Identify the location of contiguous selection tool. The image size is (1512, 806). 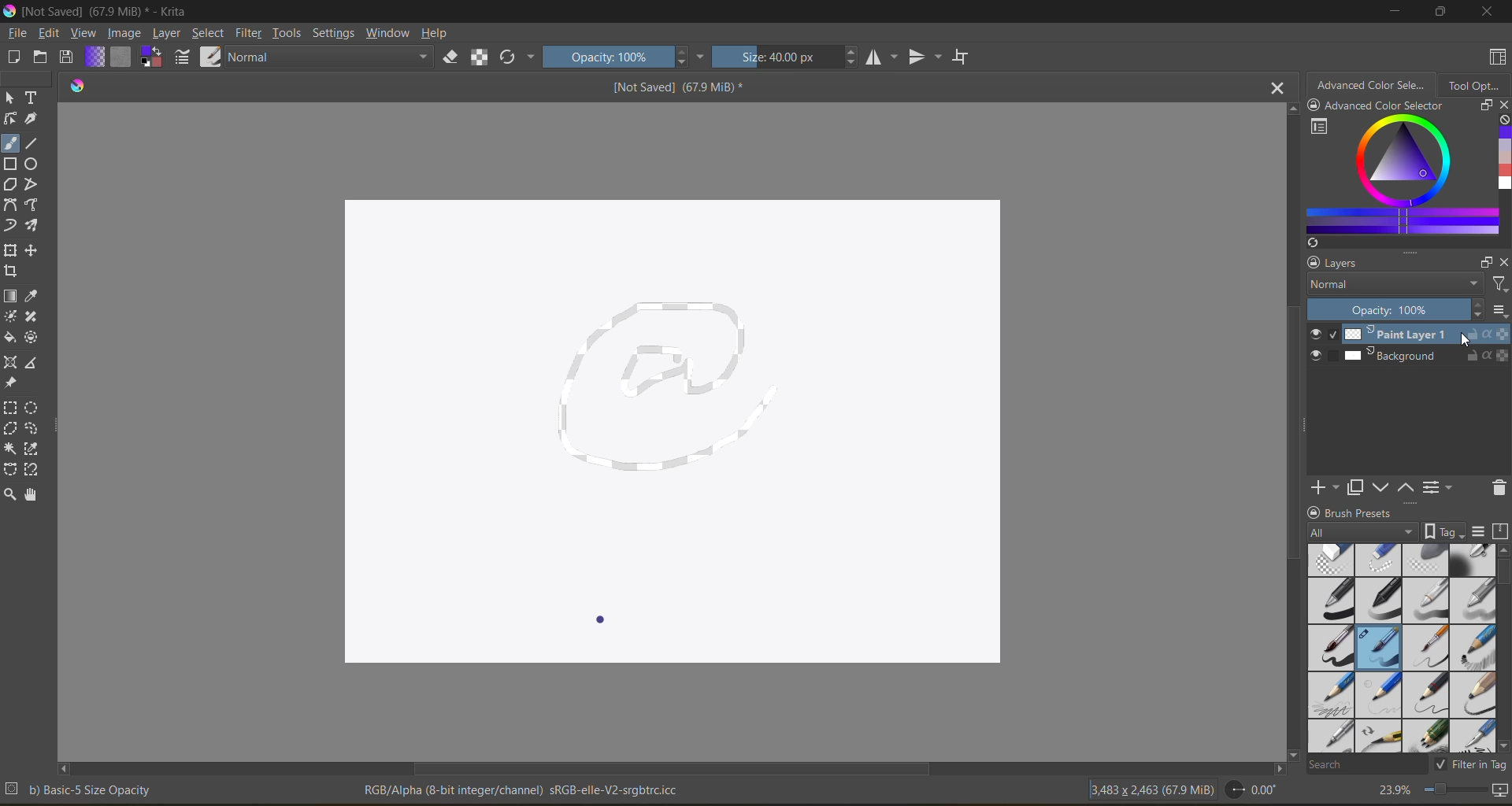
(10, 449).